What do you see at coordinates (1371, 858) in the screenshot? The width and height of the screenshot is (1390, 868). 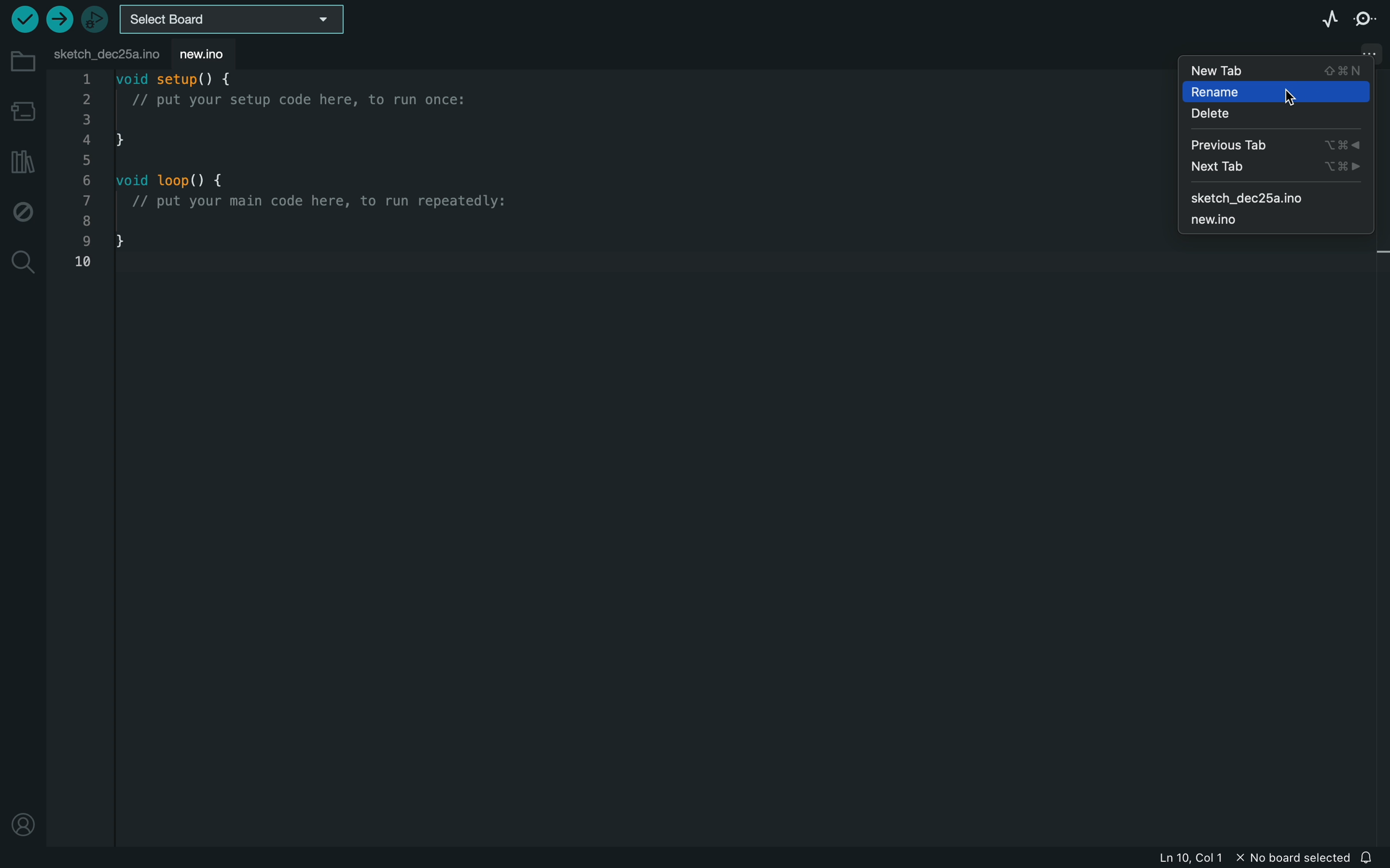 I see `notification` at bounding box center [1371, 858].